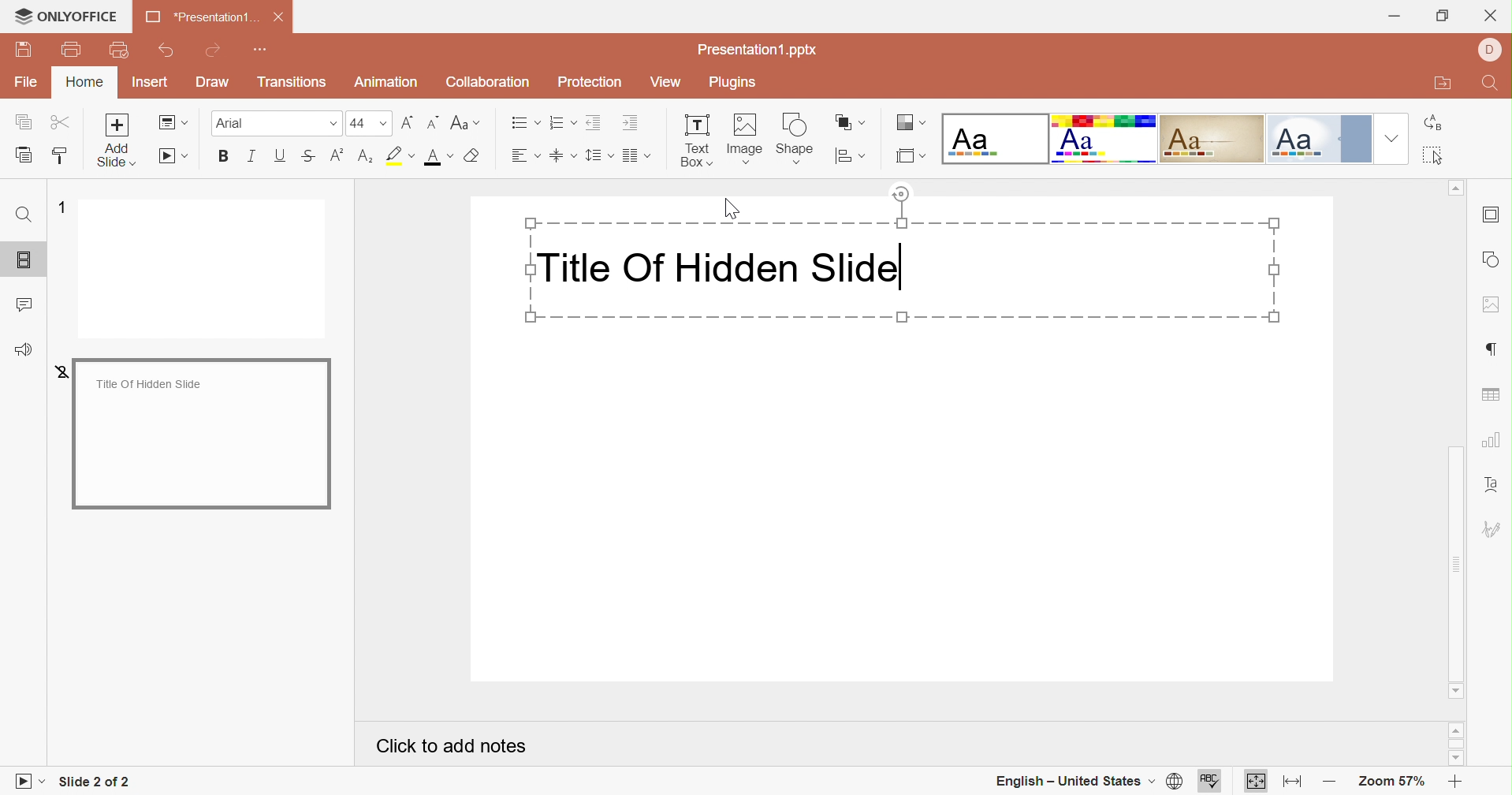  What do you see at coordinates (599, 157) in the screenshot?
I see `Line spacing` at bounding box center [599, 157].